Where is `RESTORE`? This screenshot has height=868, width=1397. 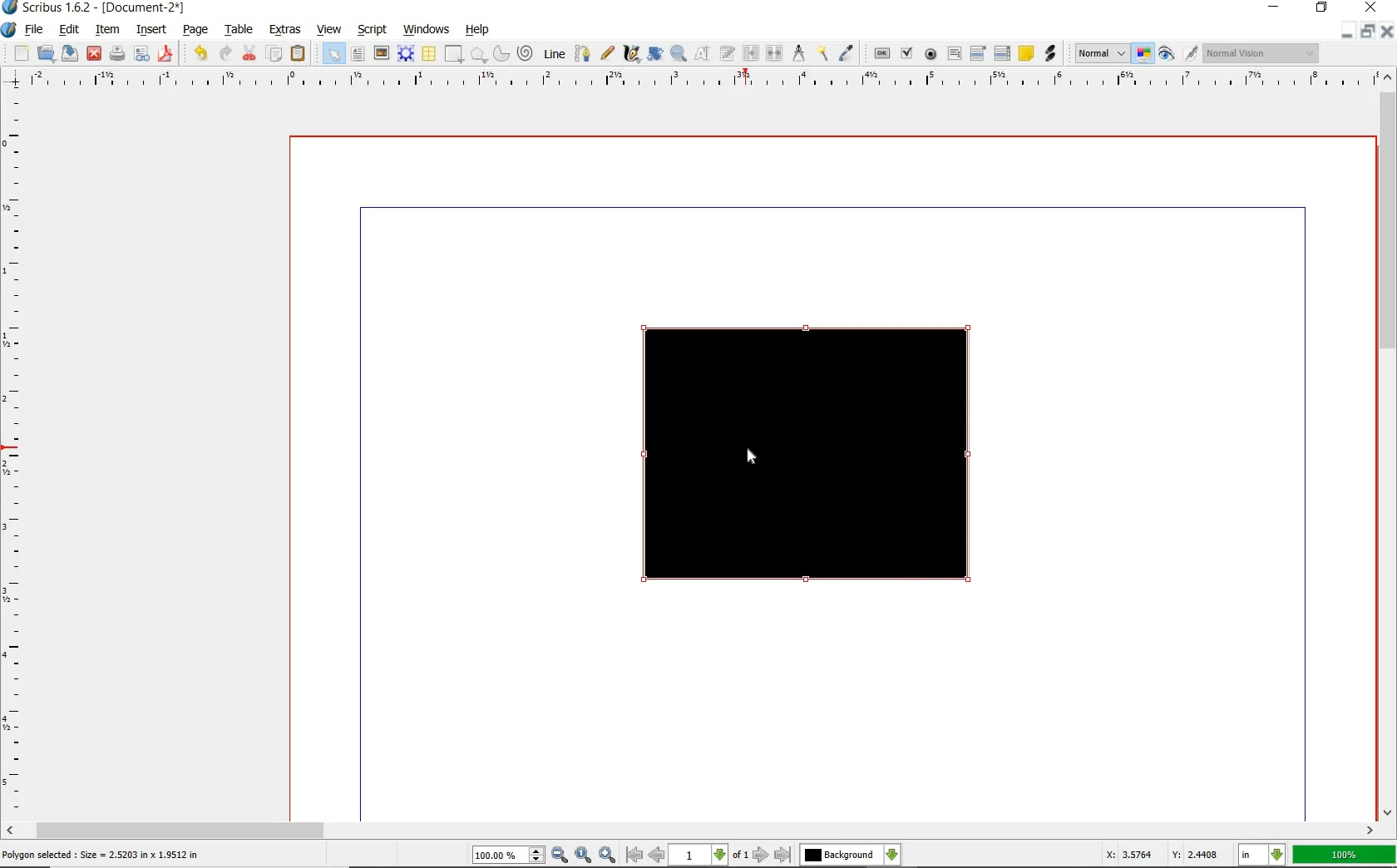
RESTORE is located at coordinates (1364, 34).